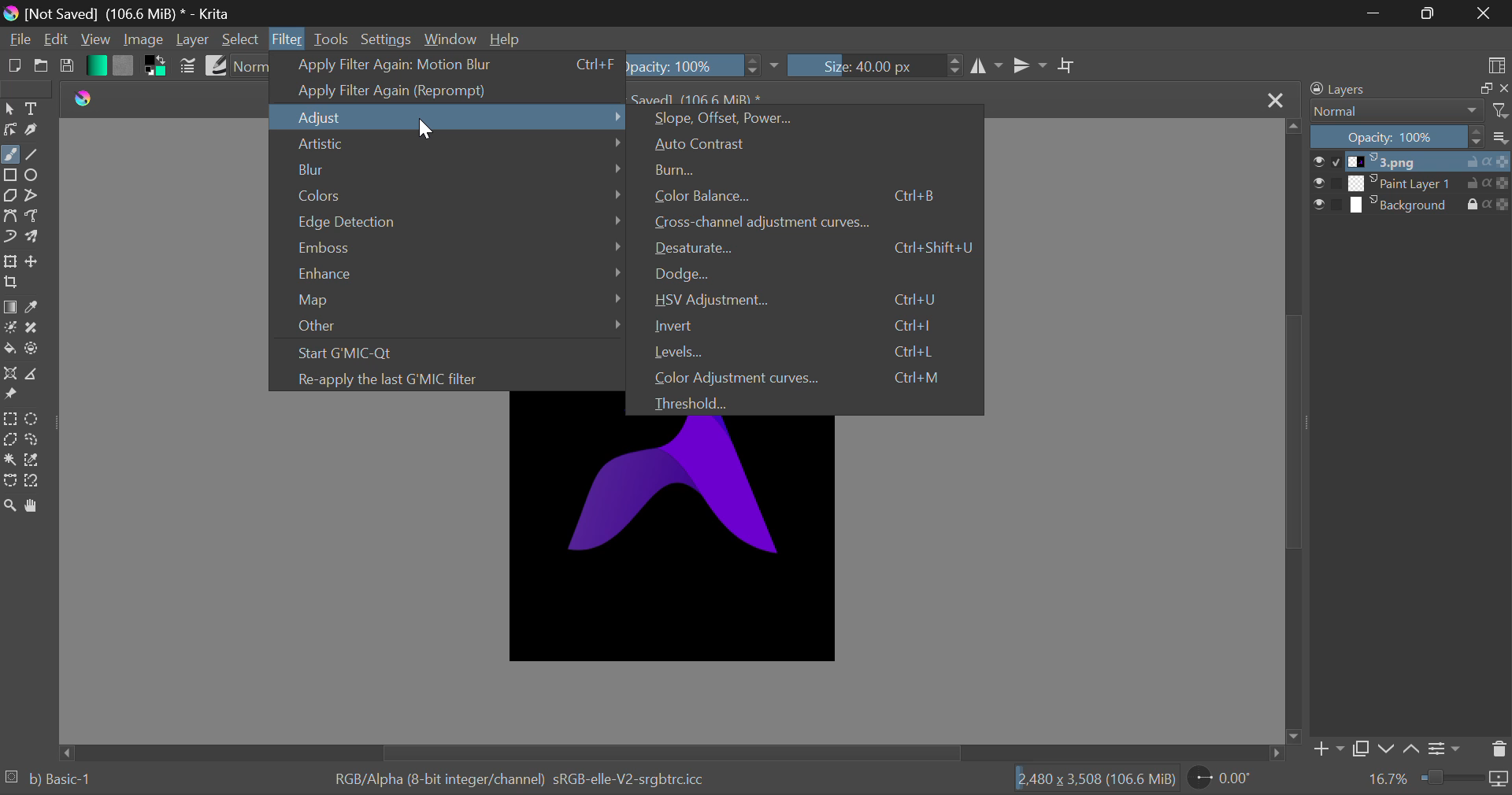 The image size is (1512, 795). What do you see at coordinates (193, 41) in the screenshot?
I see `Layer` at bounding box center [193, 41].